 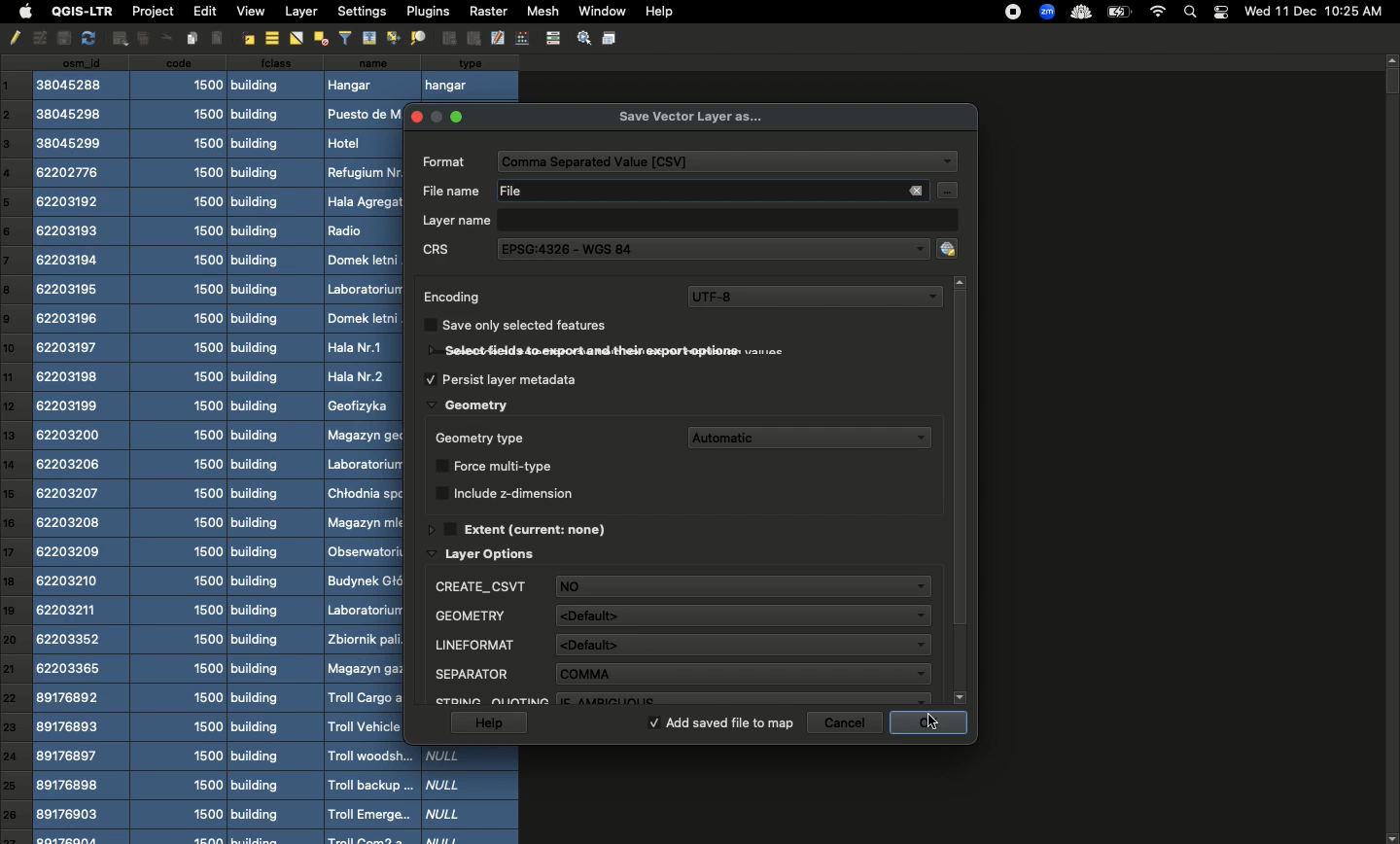 I want to click on Date time, so click(x=1313, y=11).